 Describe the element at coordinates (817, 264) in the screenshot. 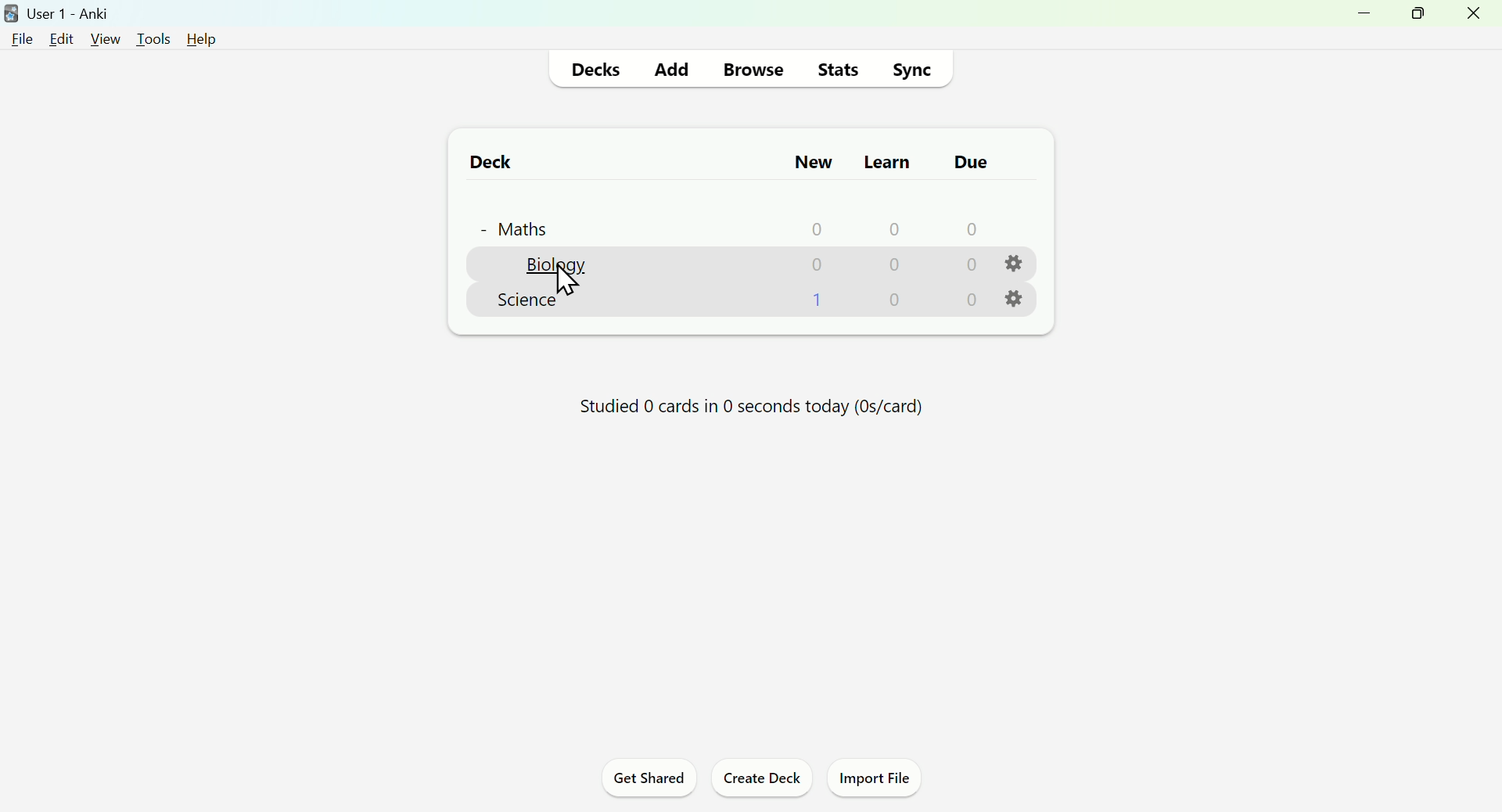

I see `0` at that location.